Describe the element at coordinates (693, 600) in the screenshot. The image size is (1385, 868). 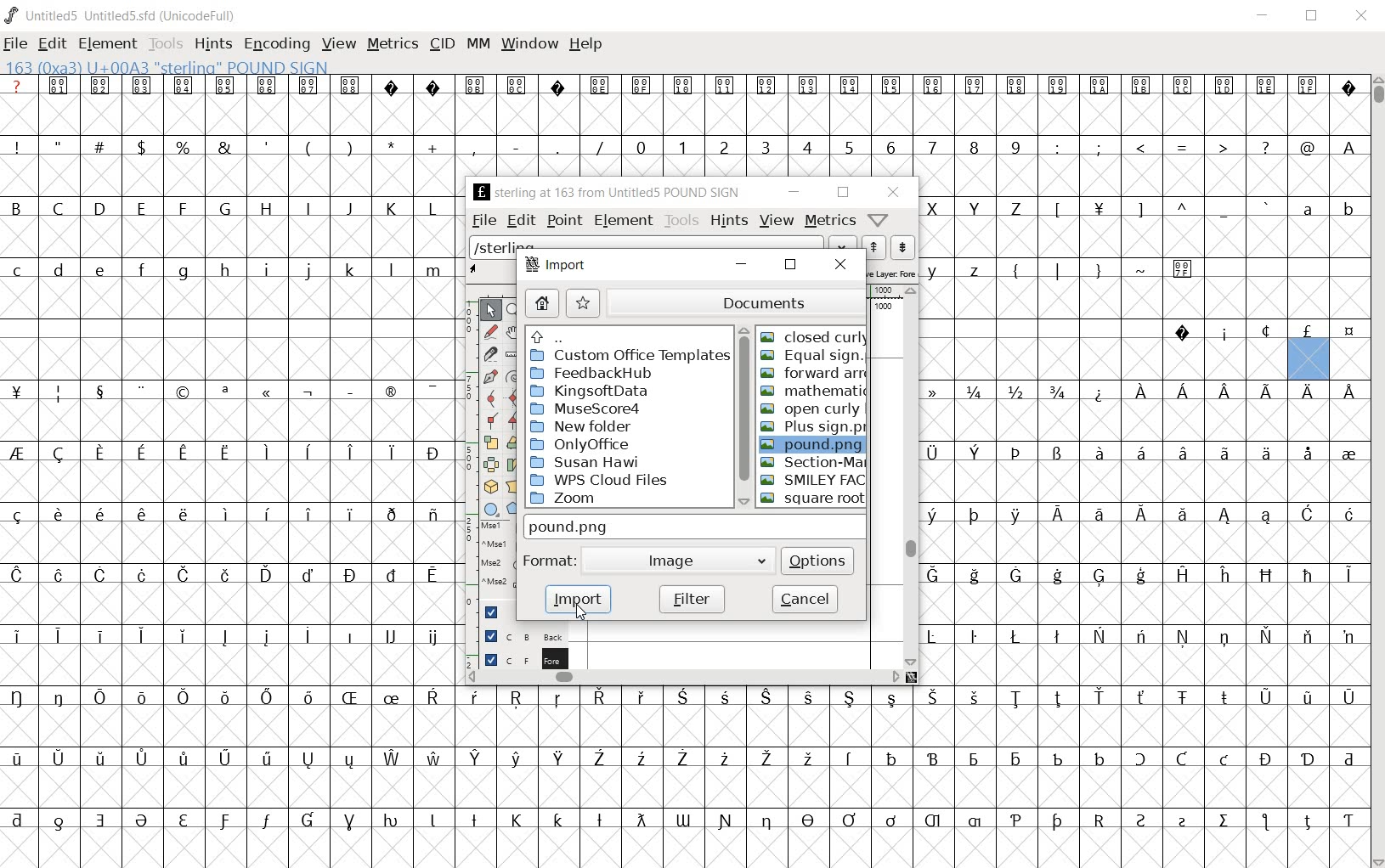
I see `filter` at that location.